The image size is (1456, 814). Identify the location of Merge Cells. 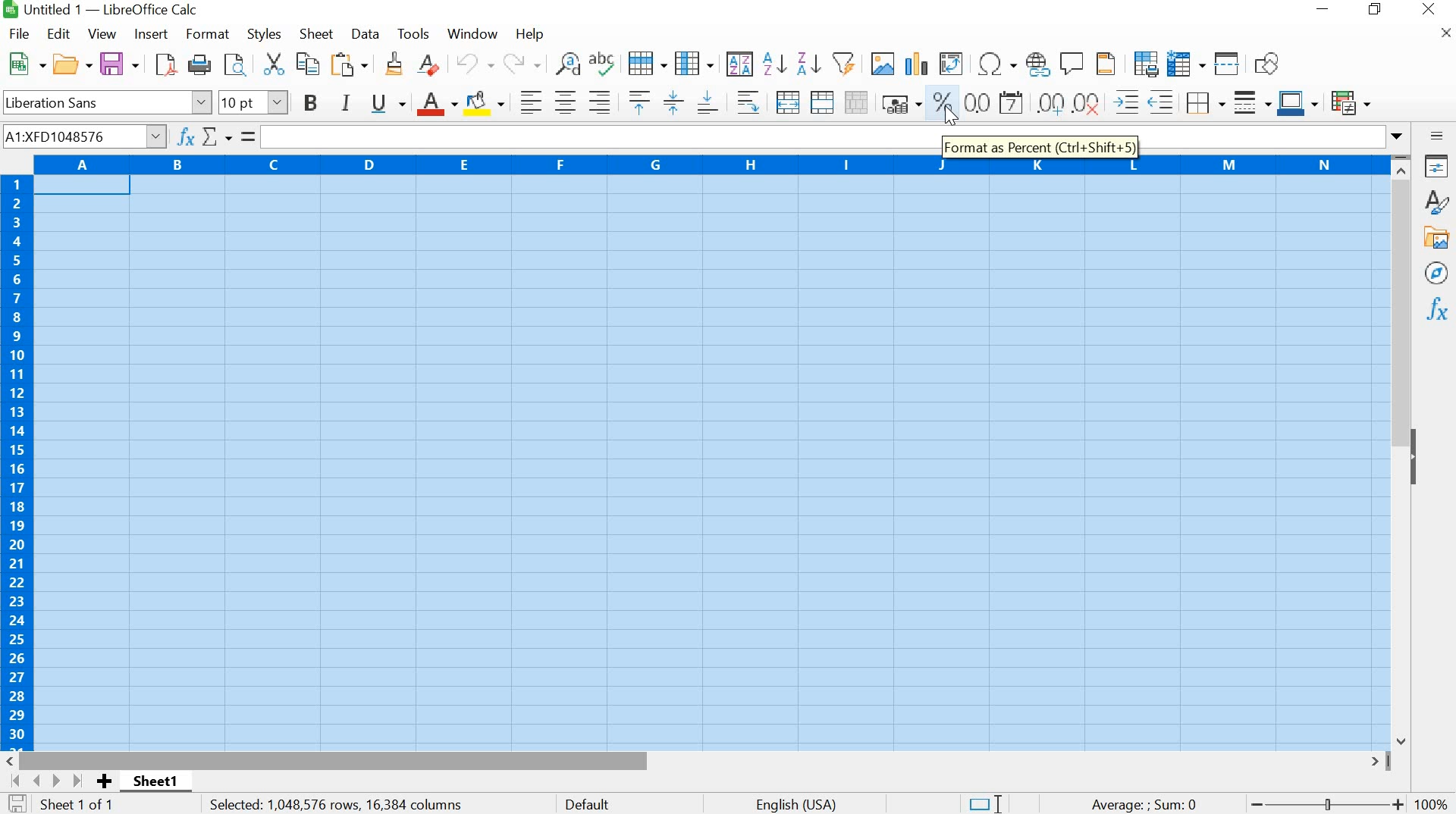
(821, 102).